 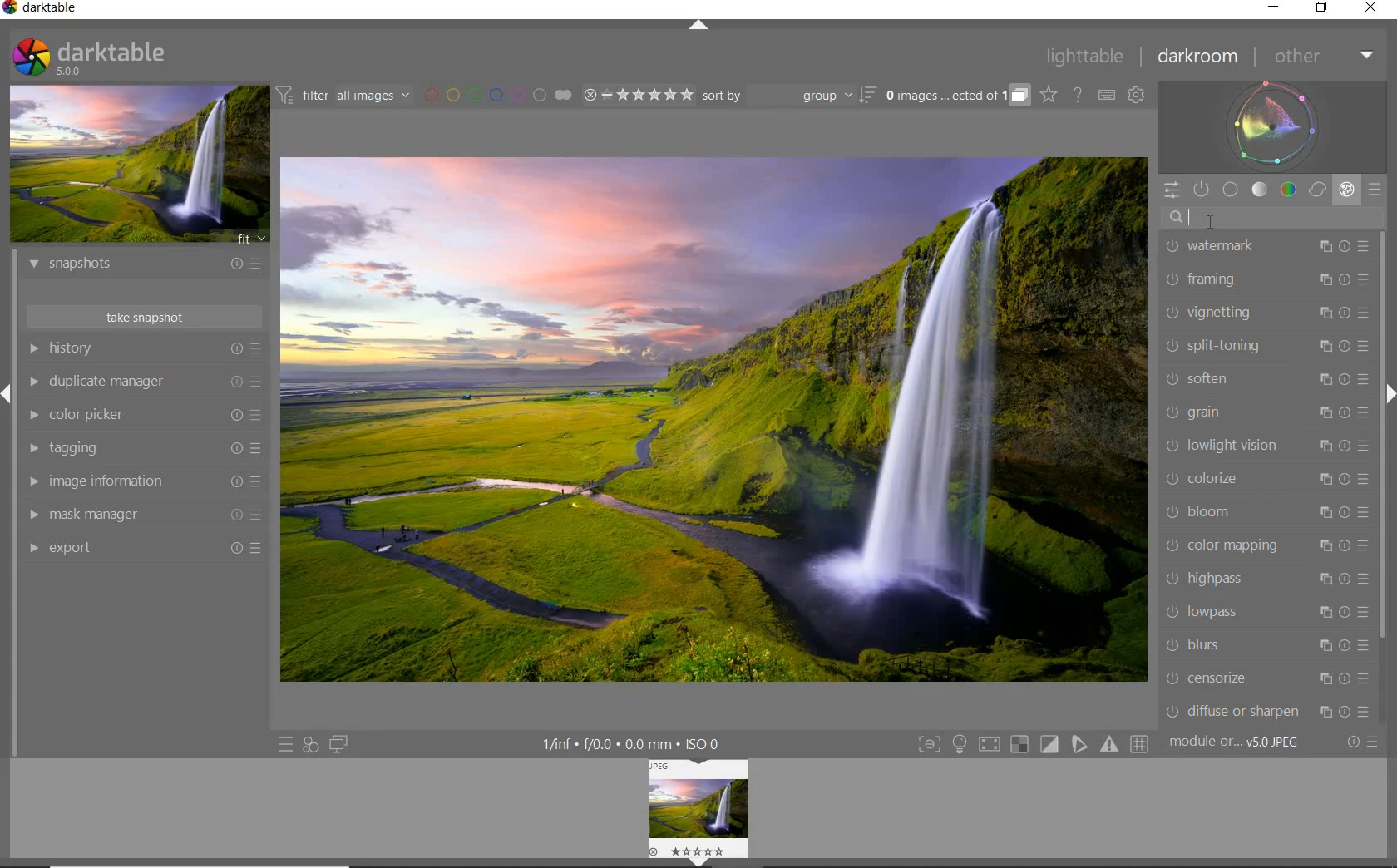 What do you see at coordinates (1267, 678) in the screenshot?
I see `censorize` at bounding box center [1267, 678].